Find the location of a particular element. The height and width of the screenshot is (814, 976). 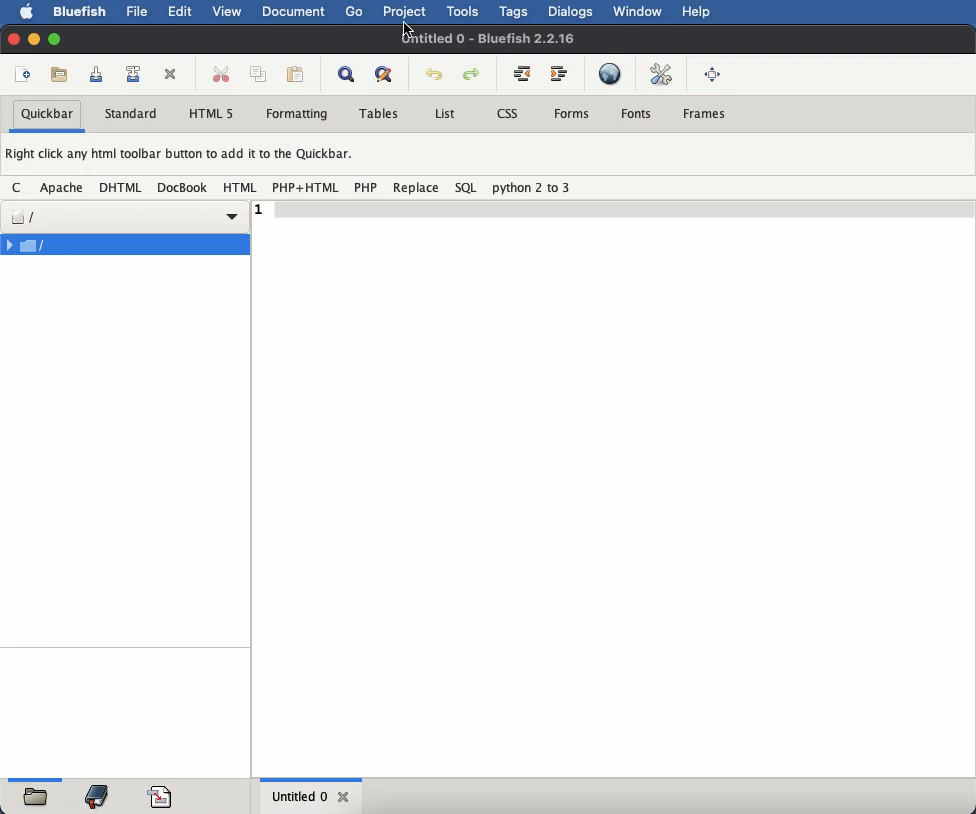

file is located at coordinates (124, 244).